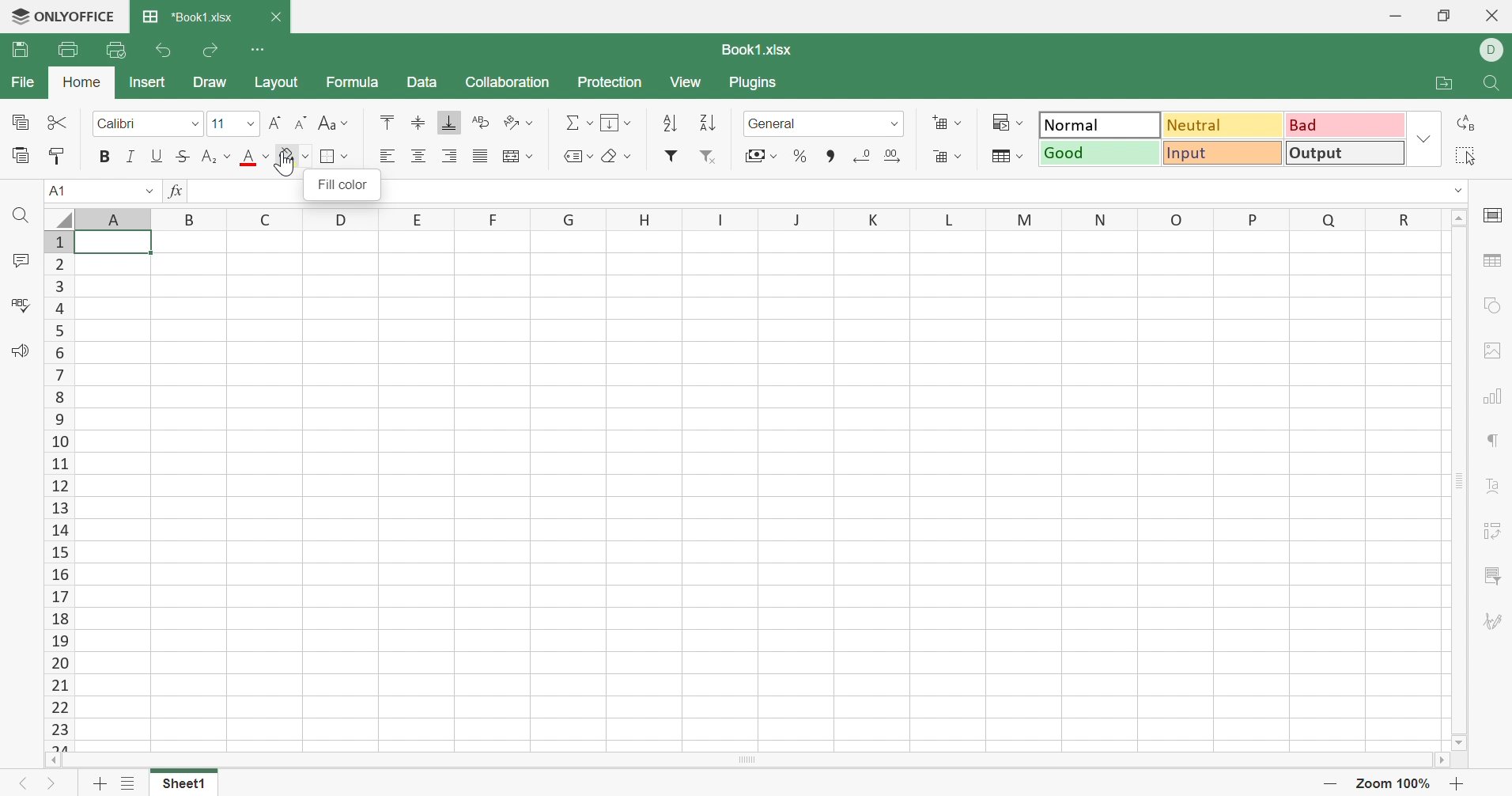  I want to click on Bad, so click(1345, 126).